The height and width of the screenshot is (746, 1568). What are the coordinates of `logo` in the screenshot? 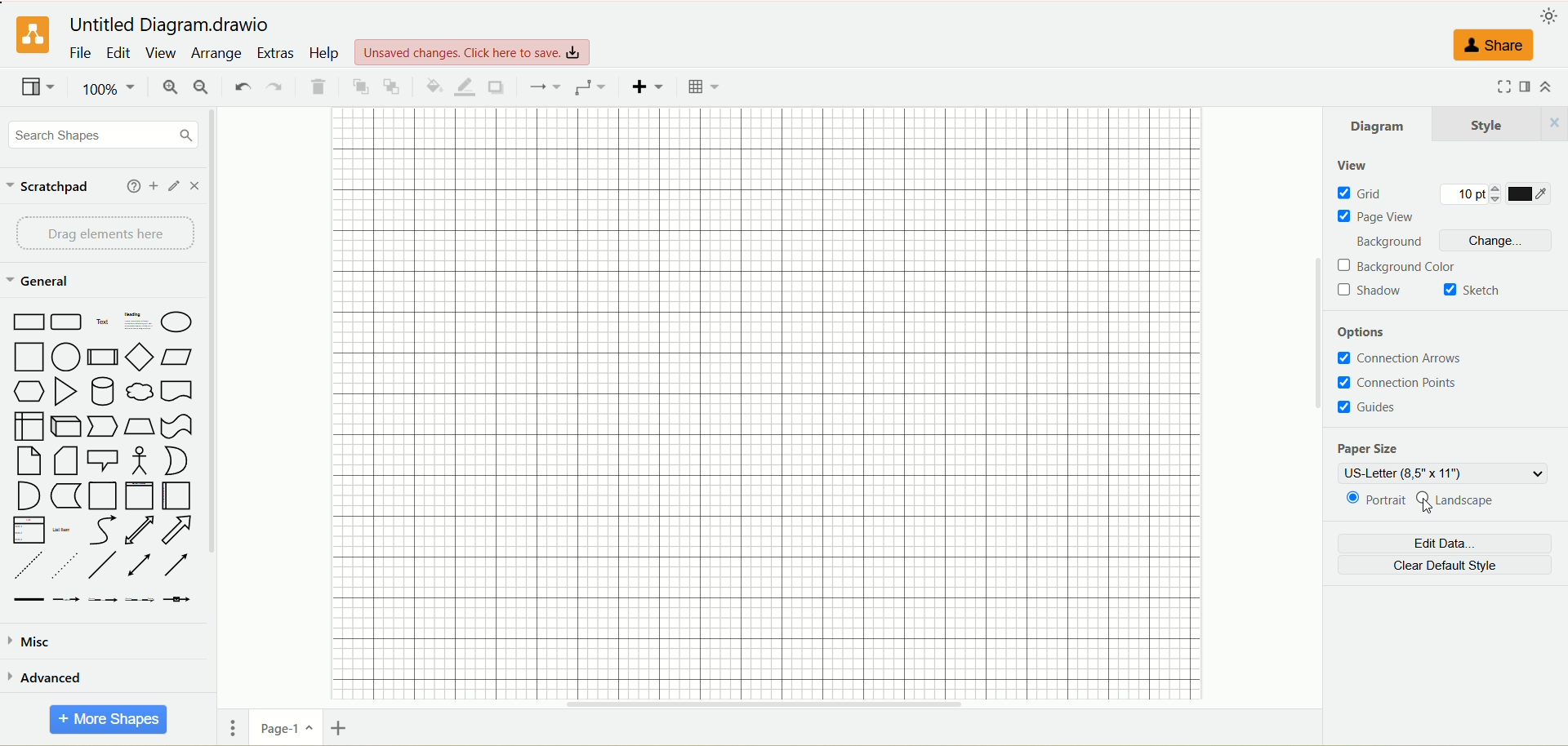 It's located at (32, 34).